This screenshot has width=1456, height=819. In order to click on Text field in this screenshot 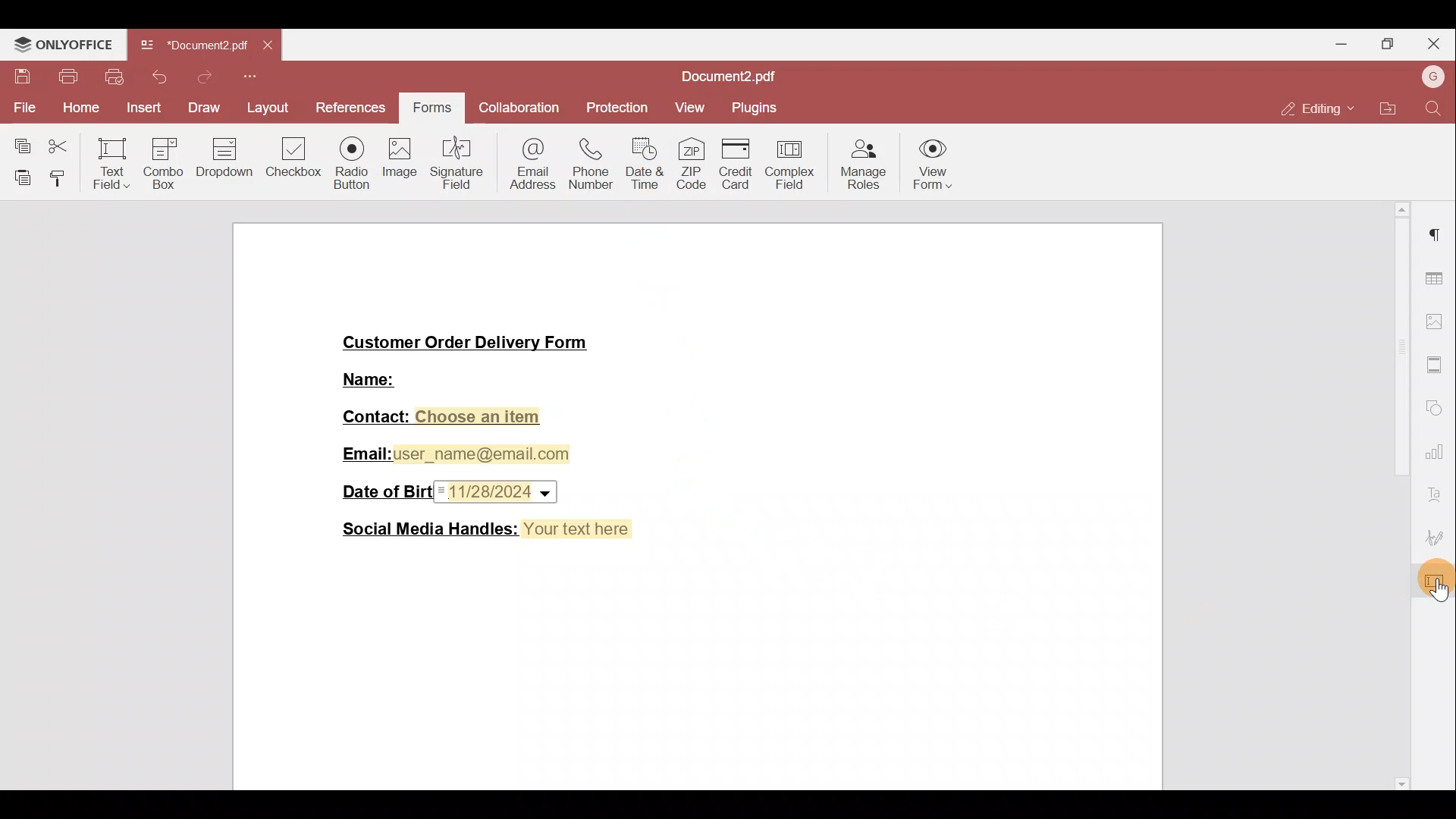, I will do `click(110, 163)`.